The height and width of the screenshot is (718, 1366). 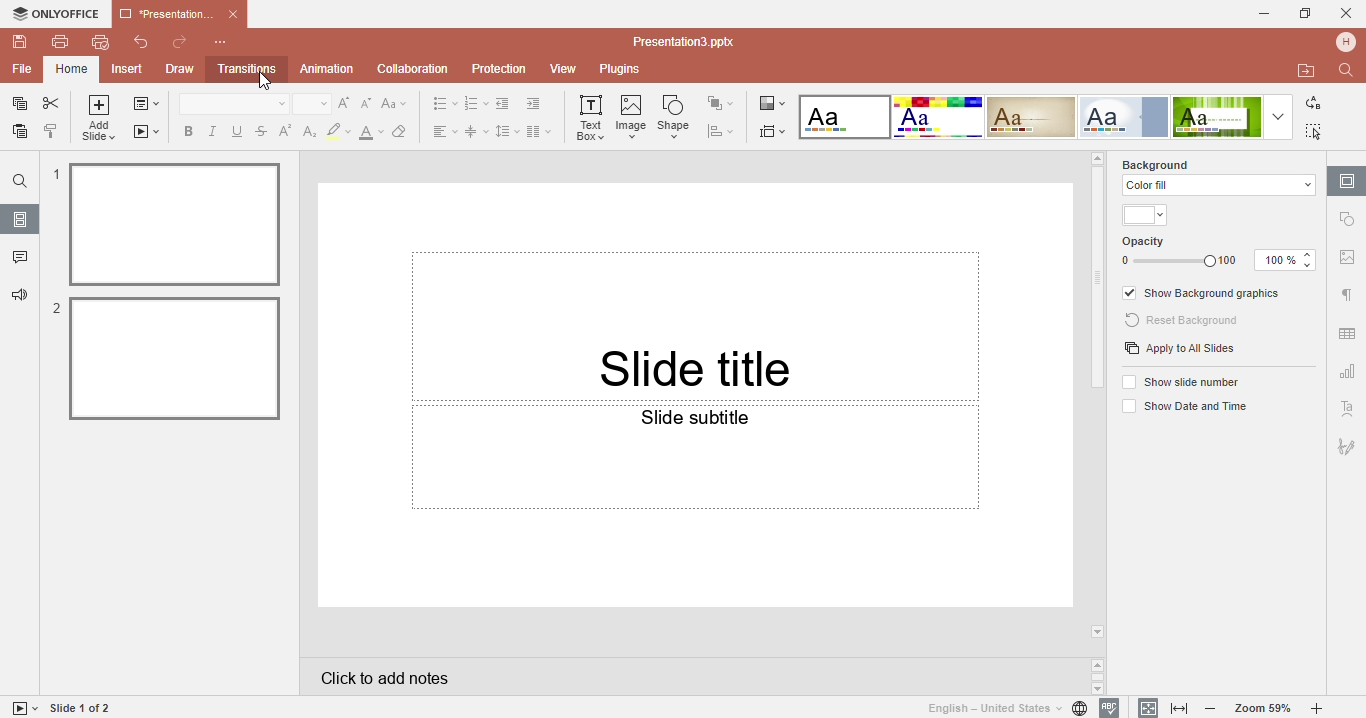 What do you see at coordinates (1144, 707) in the screenshot?
I see `Fit to slidee` at bounding box center [1144, 707].